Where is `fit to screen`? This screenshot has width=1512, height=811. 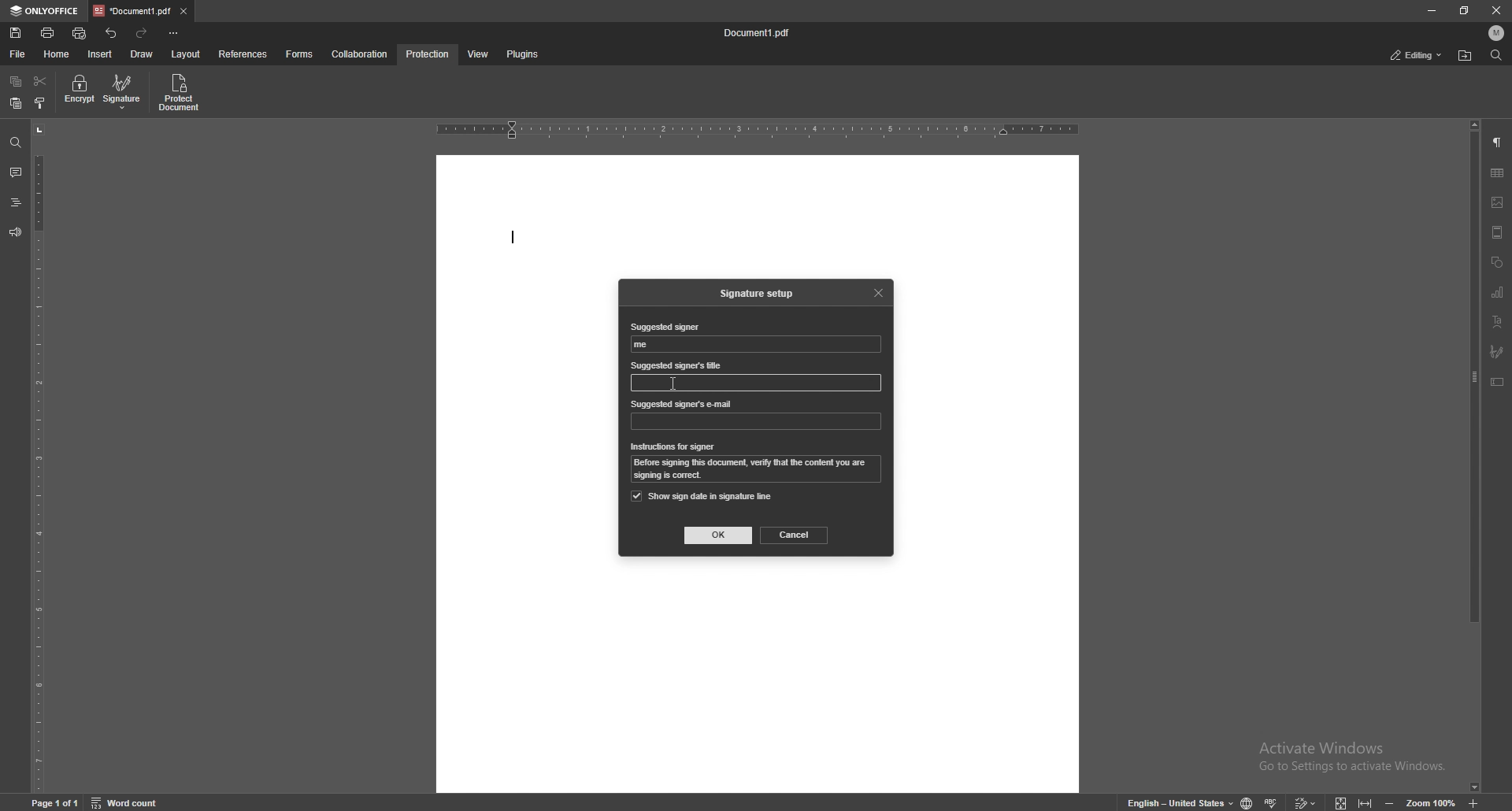 fit to screen is located at coordinates (1336, 801).